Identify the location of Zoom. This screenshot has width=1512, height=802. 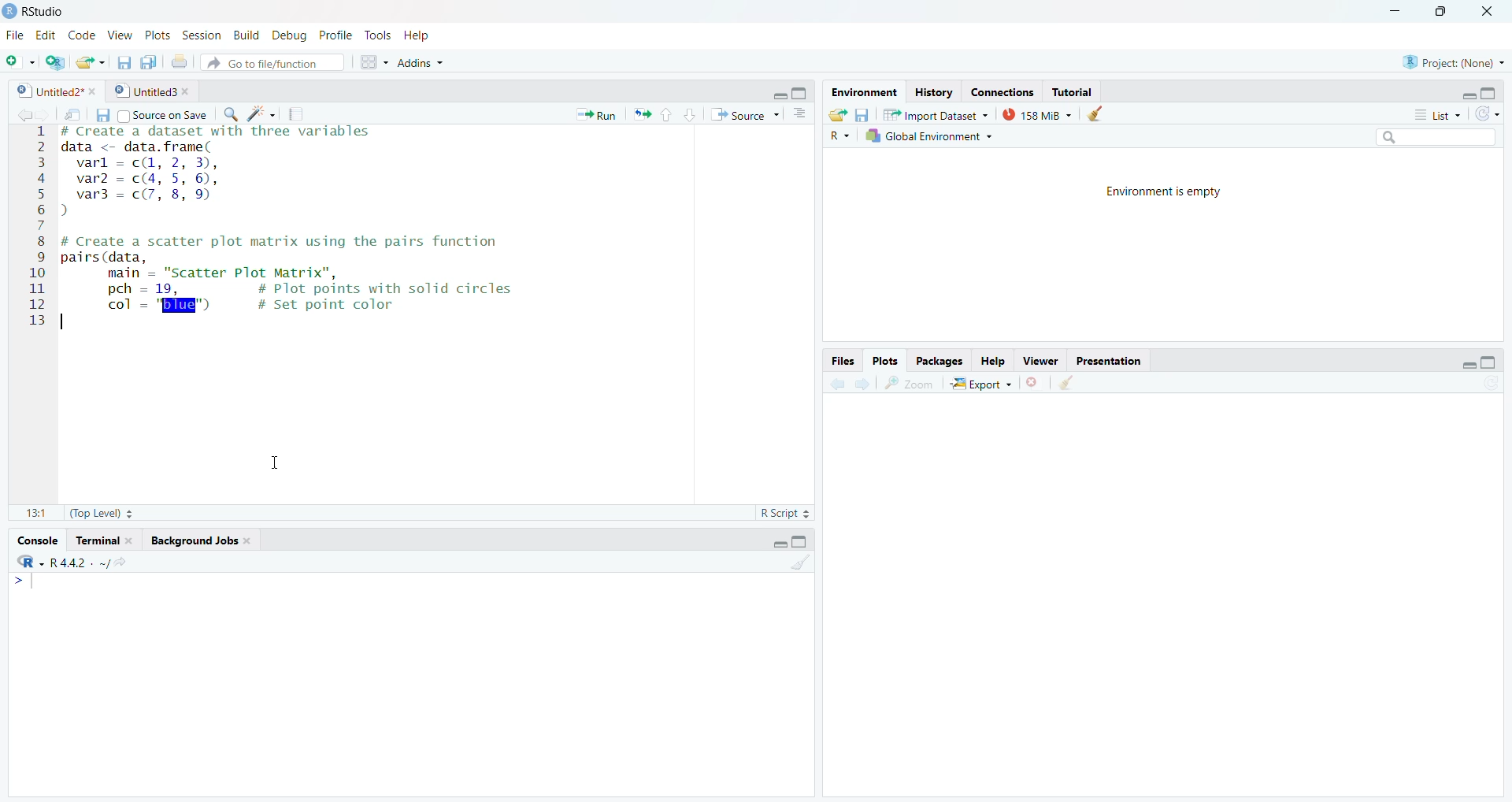
(911, 384).